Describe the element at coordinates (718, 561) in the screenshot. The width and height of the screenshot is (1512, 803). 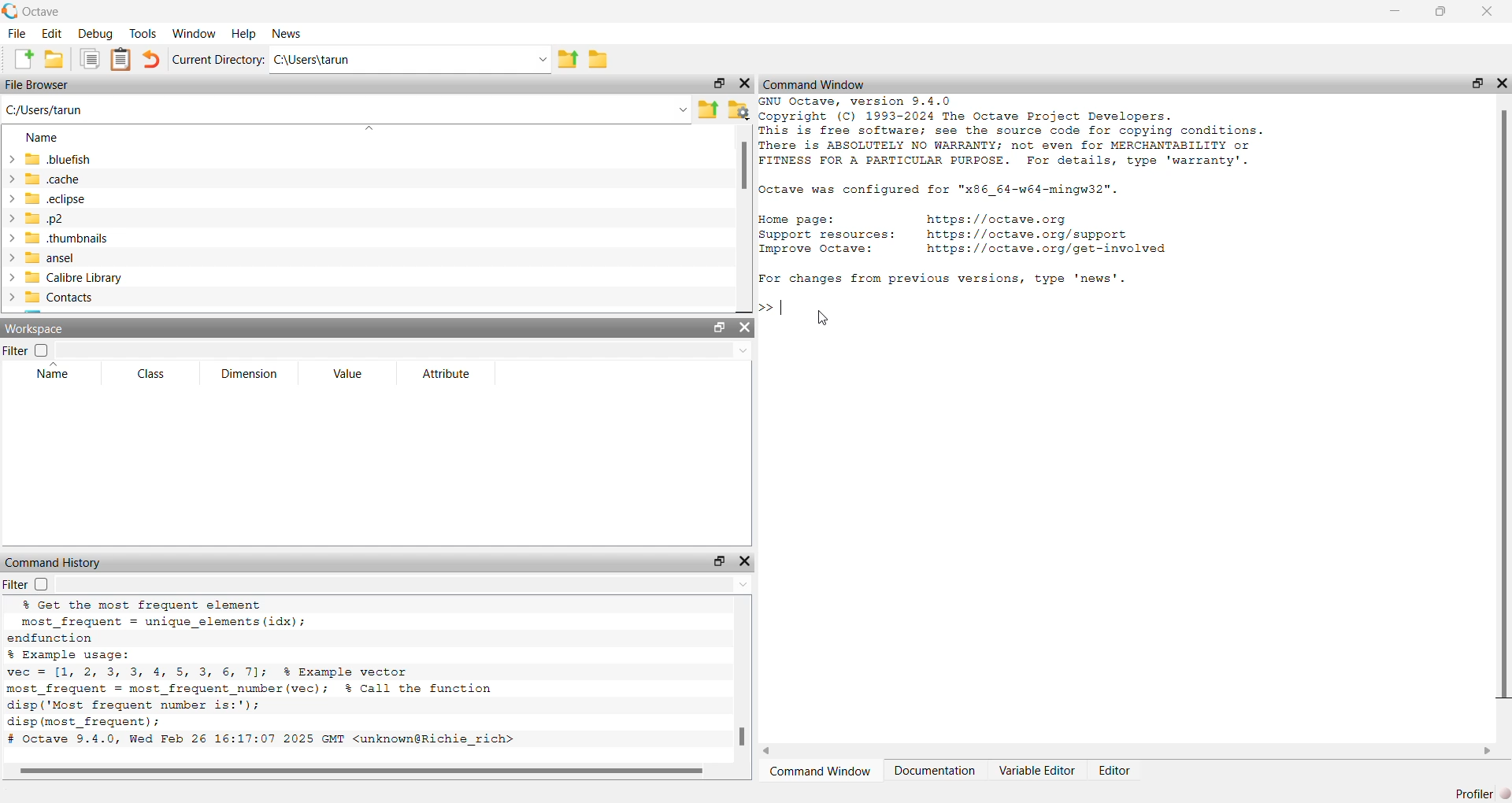
I see `Undock Widget` at that location.